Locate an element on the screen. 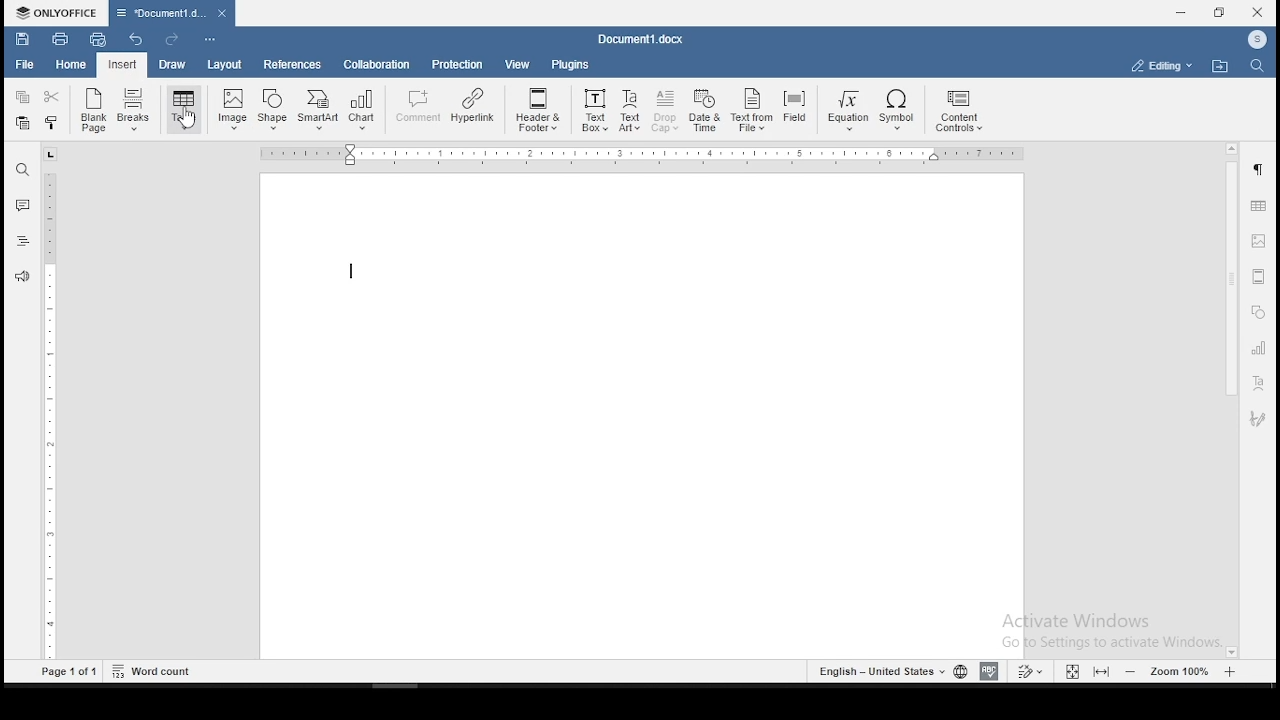 The image size is (1280, 720). plugins is located at coordinates (571, 64).